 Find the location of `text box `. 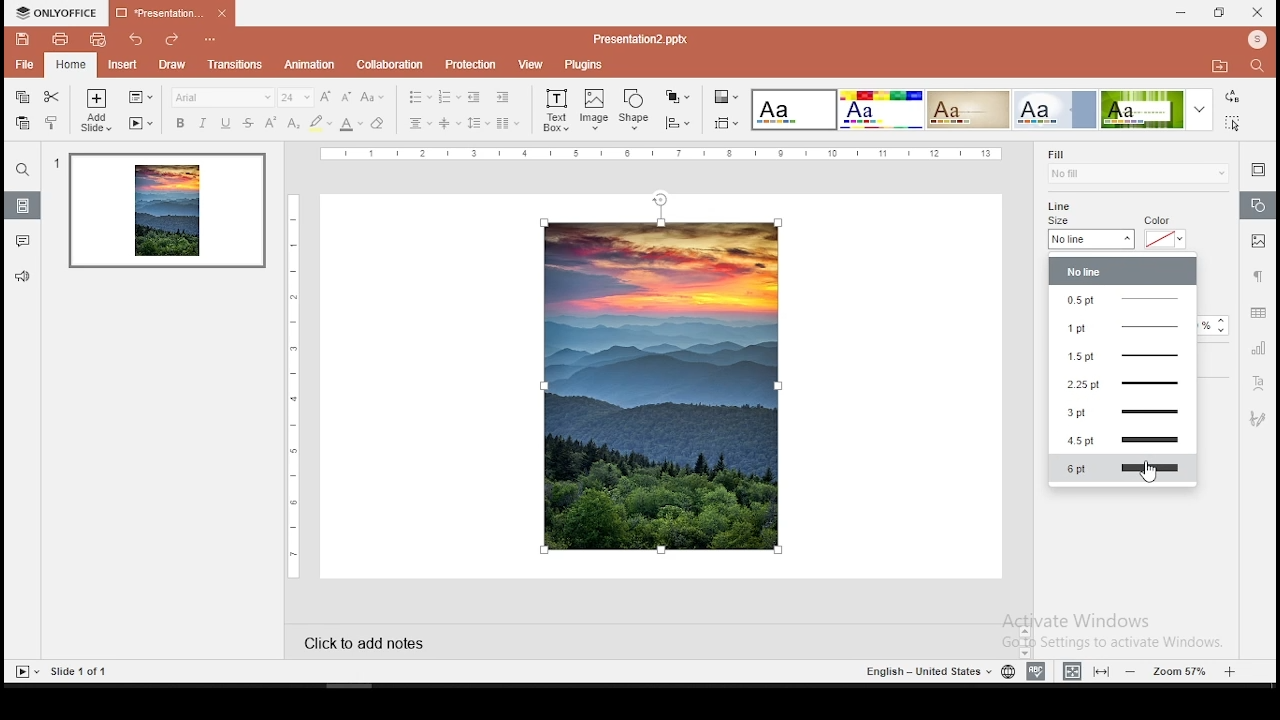

text box  is located at coordinates (554, 110).